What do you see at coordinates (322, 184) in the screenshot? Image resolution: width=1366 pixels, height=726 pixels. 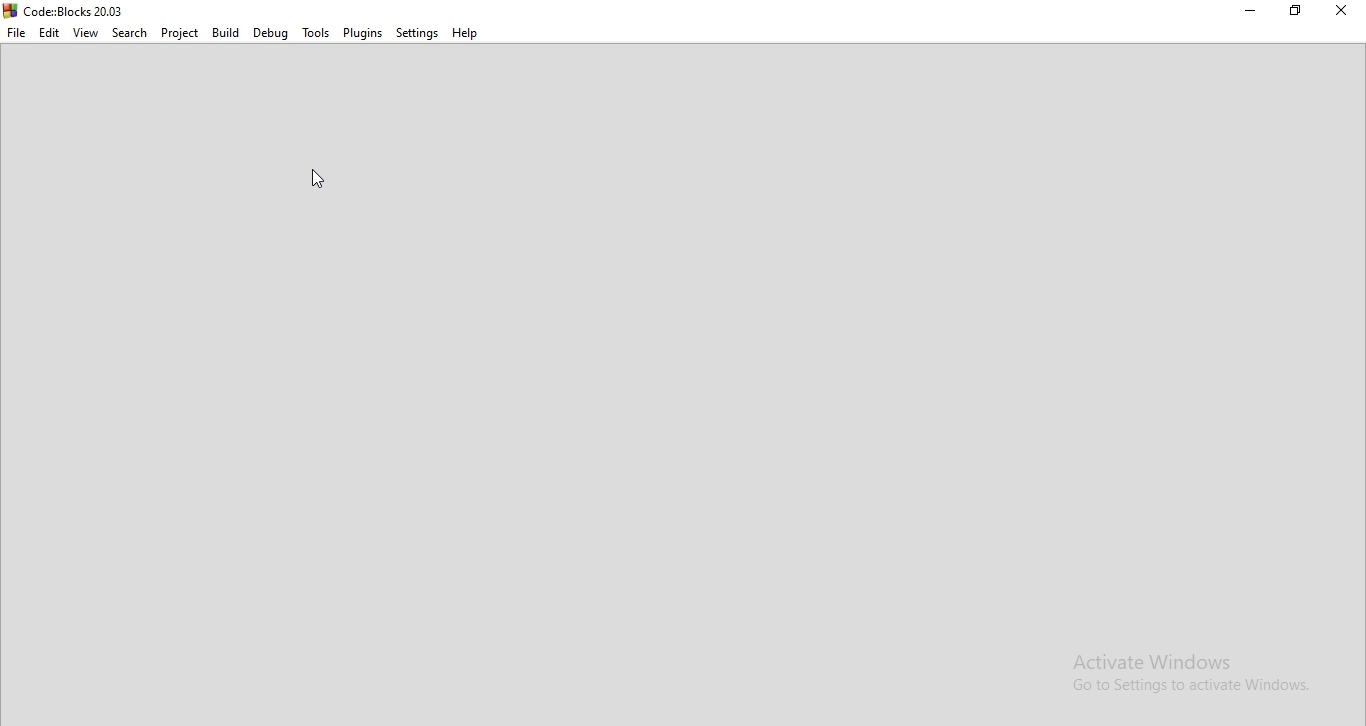 I see `cursor` at bounding box center [322, 184].